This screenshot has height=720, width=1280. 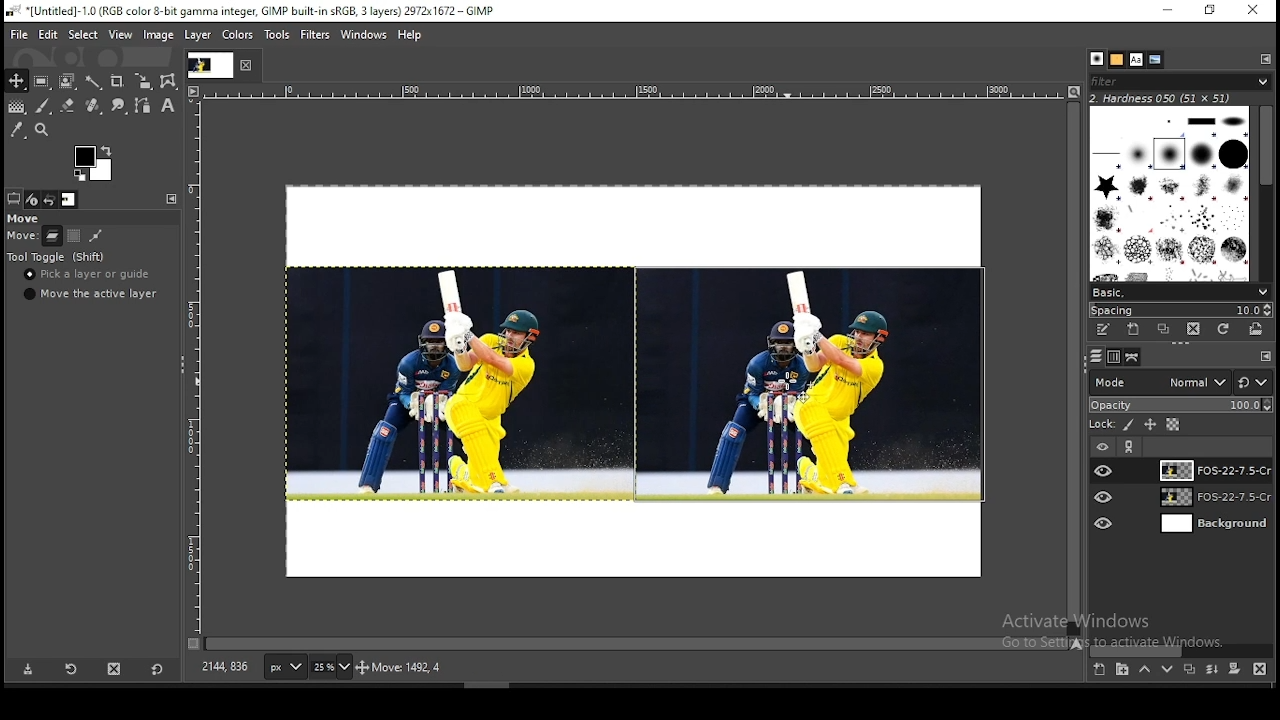 What do you see at coordinates (1133, 329) in the screenshot?
I see `create a new brush` at bounding box center [1133, 329].